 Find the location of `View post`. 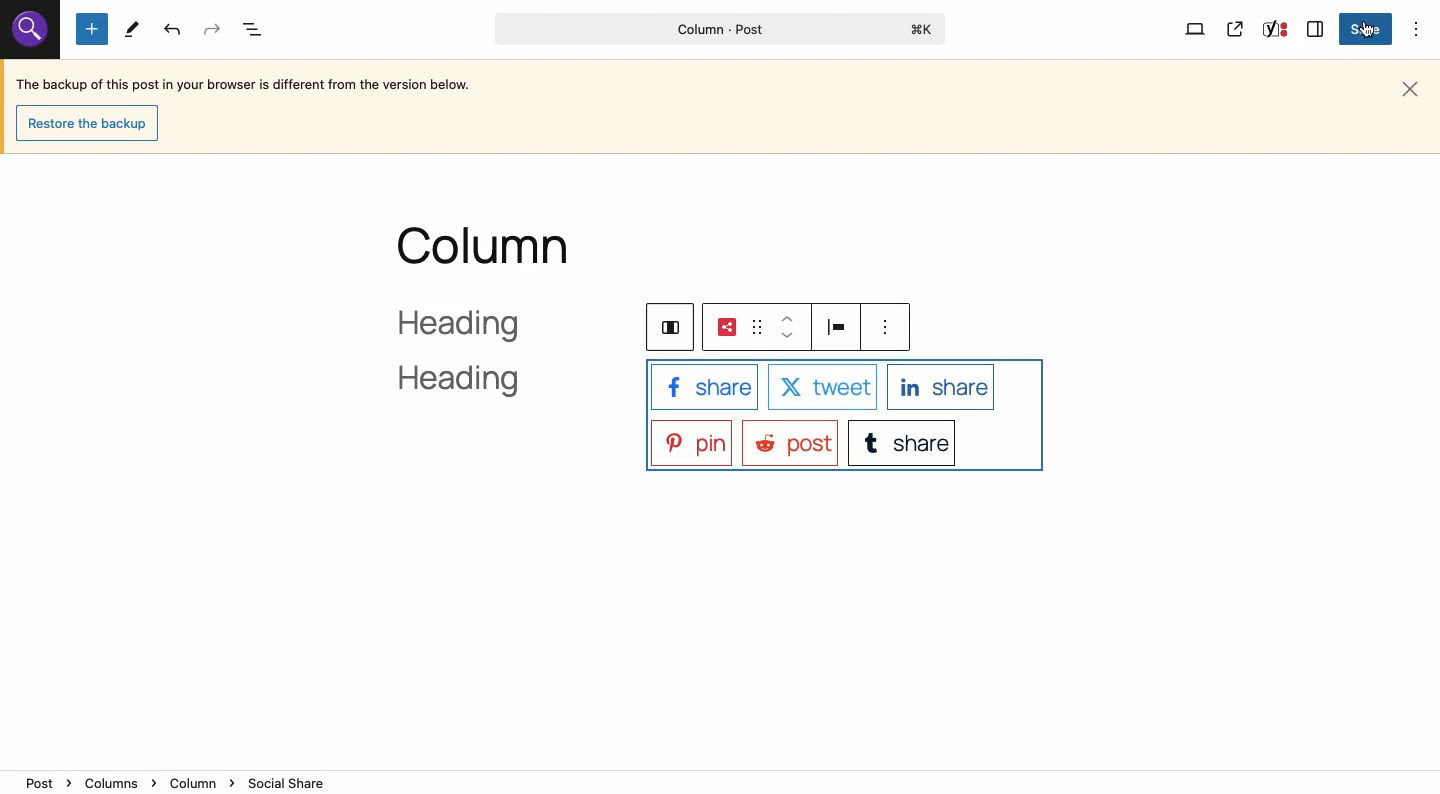

View post is located at coordinates (1236, 29).